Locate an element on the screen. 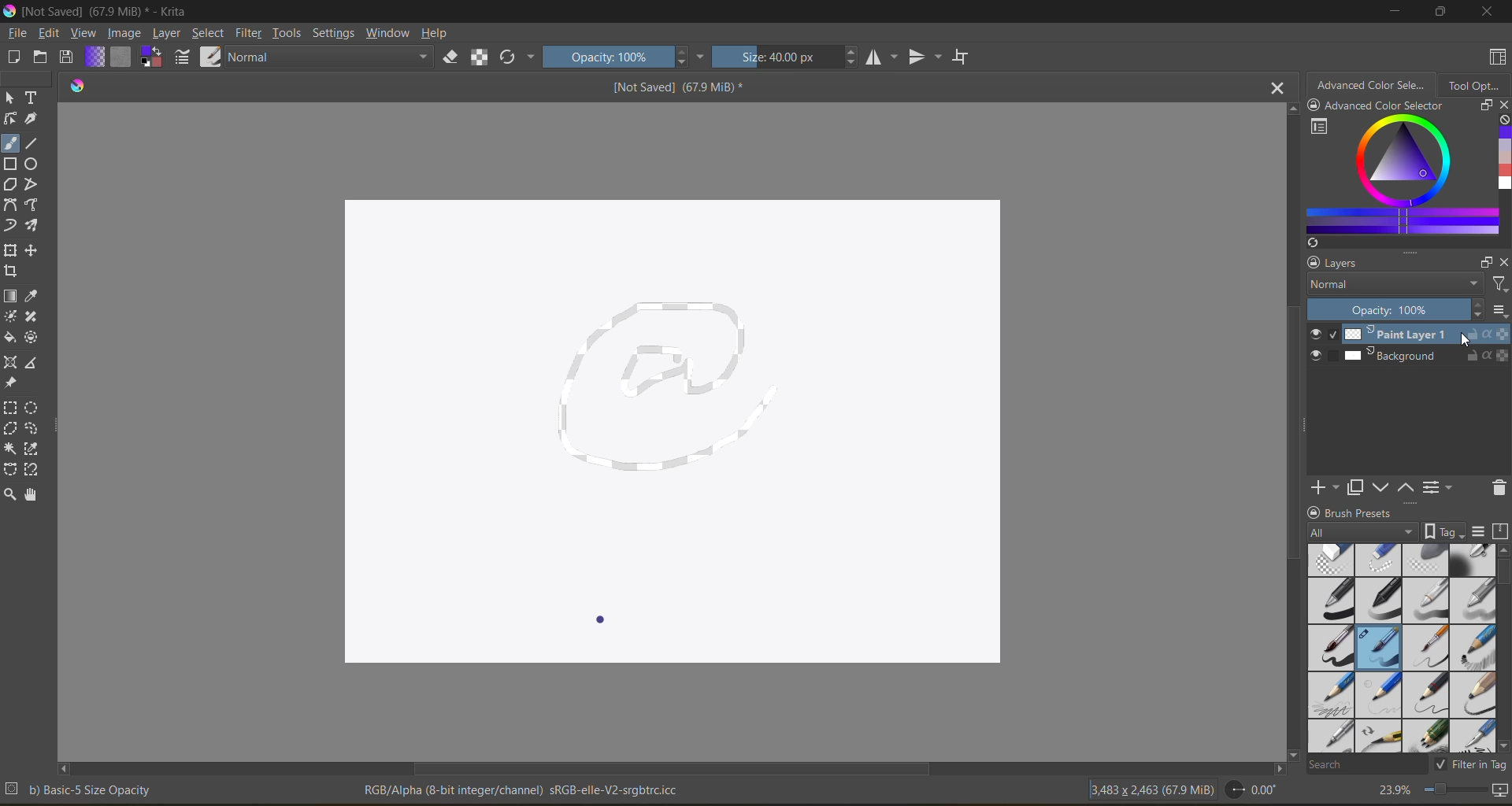 The height and width of the screenshot is (806, 1512). filter is located at coordinates (250, 34).